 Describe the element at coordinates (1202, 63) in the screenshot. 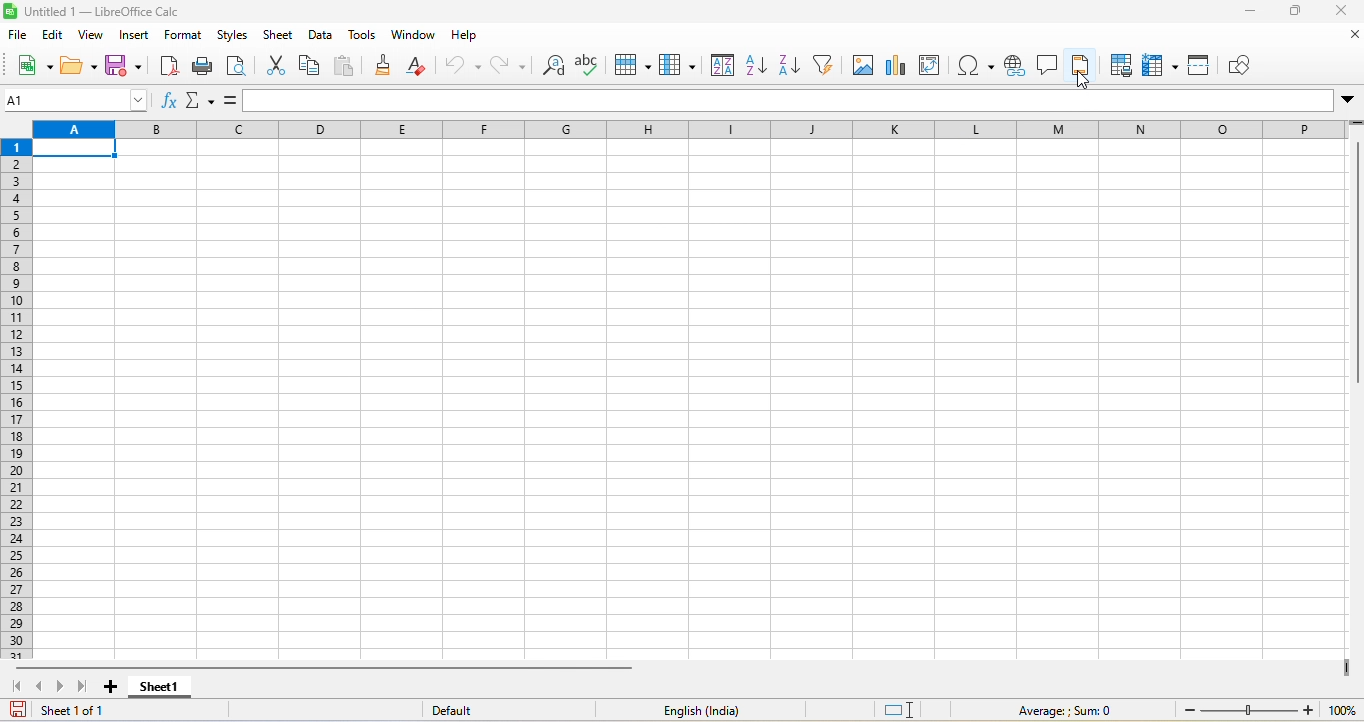

I see `split window` at that location.